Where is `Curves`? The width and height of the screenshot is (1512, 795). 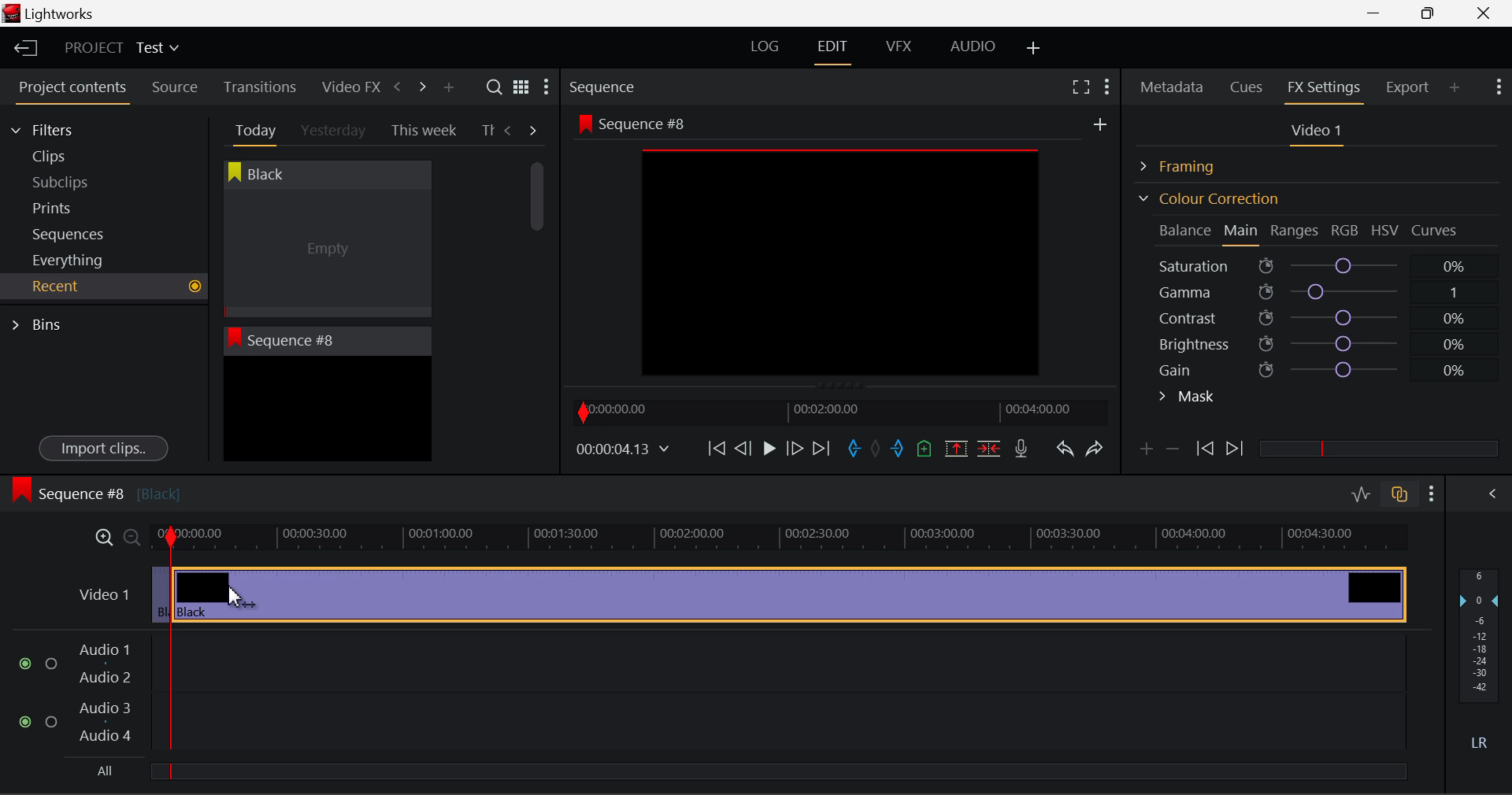 Curves is located at coordinates (1436, 230).